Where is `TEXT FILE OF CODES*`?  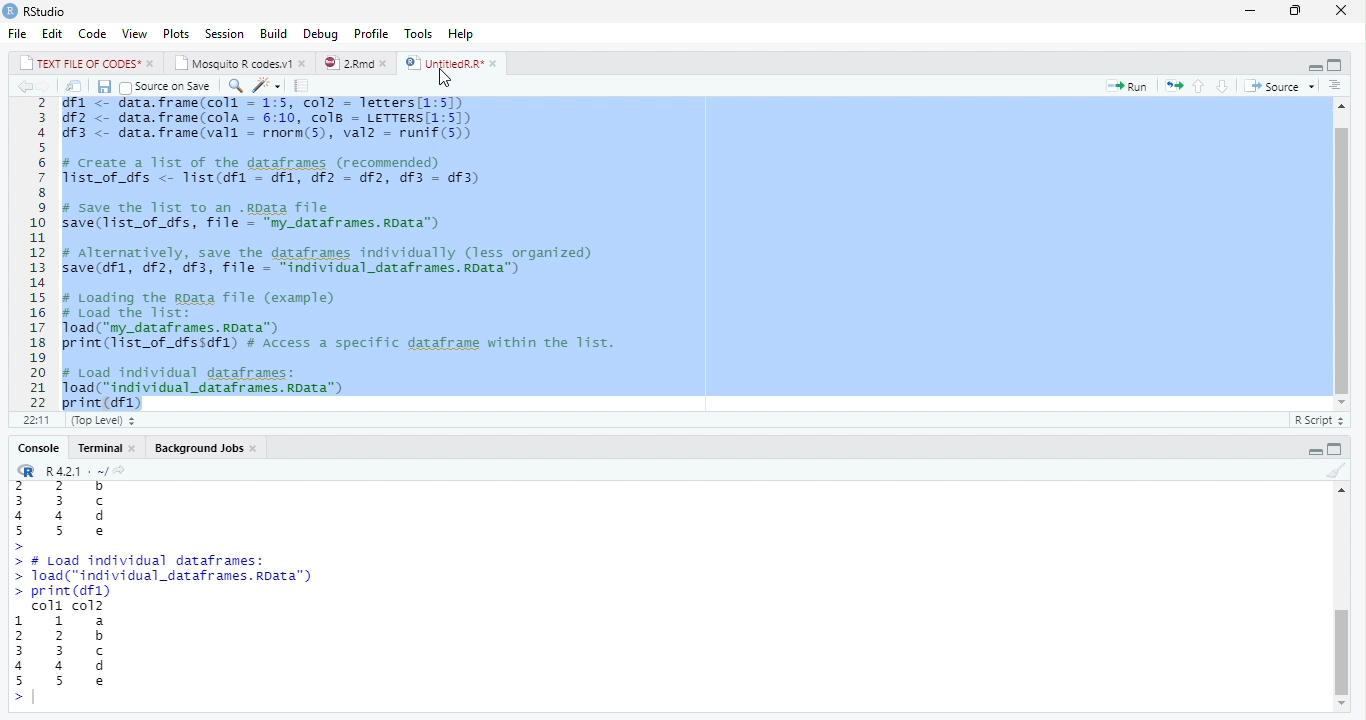 TEXT FILE OF CODES* is located at coordinates (84, 62).